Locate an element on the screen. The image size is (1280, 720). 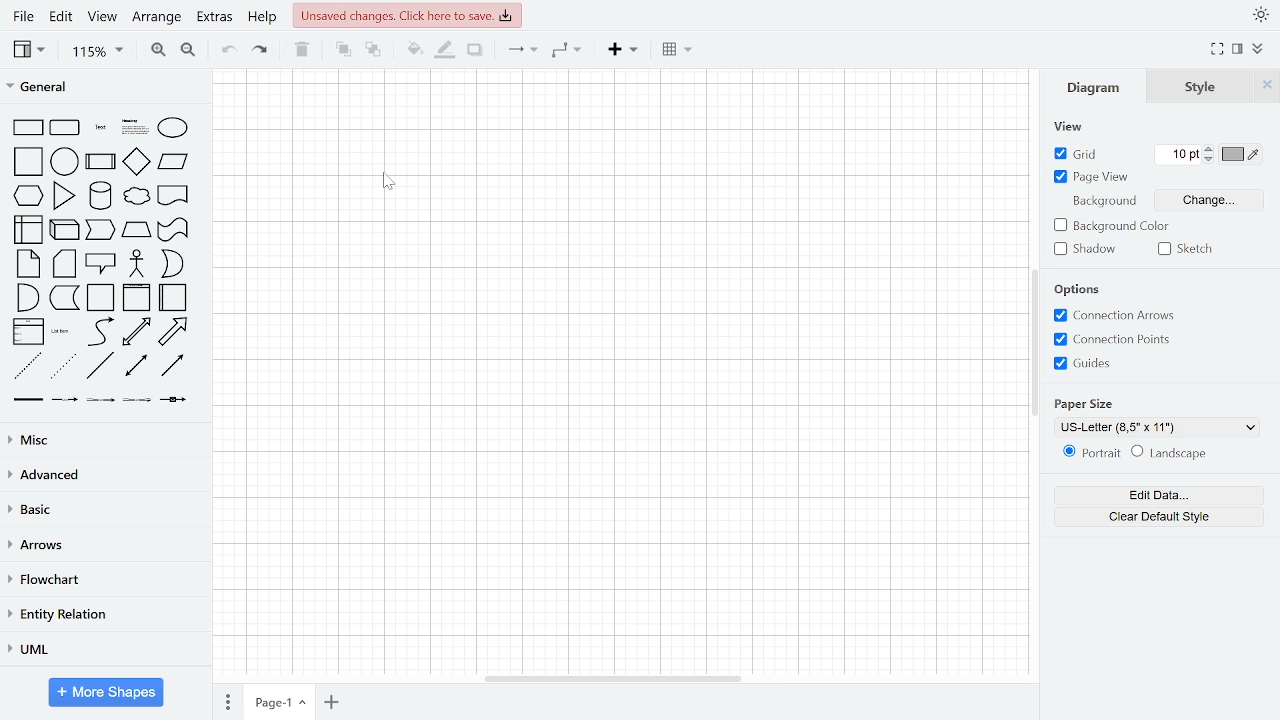
diamond is located at coordinates (139, 161).